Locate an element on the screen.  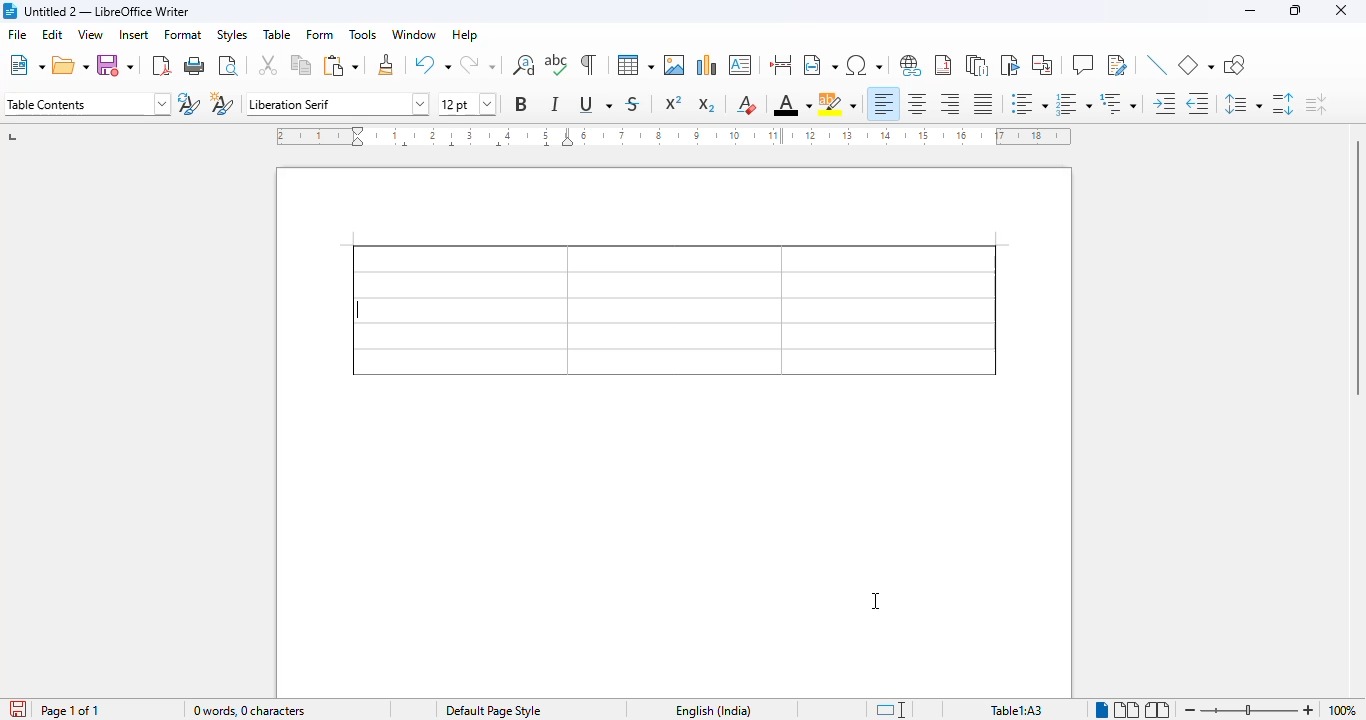
show track changes functions is located at coordinates (1118, 65).